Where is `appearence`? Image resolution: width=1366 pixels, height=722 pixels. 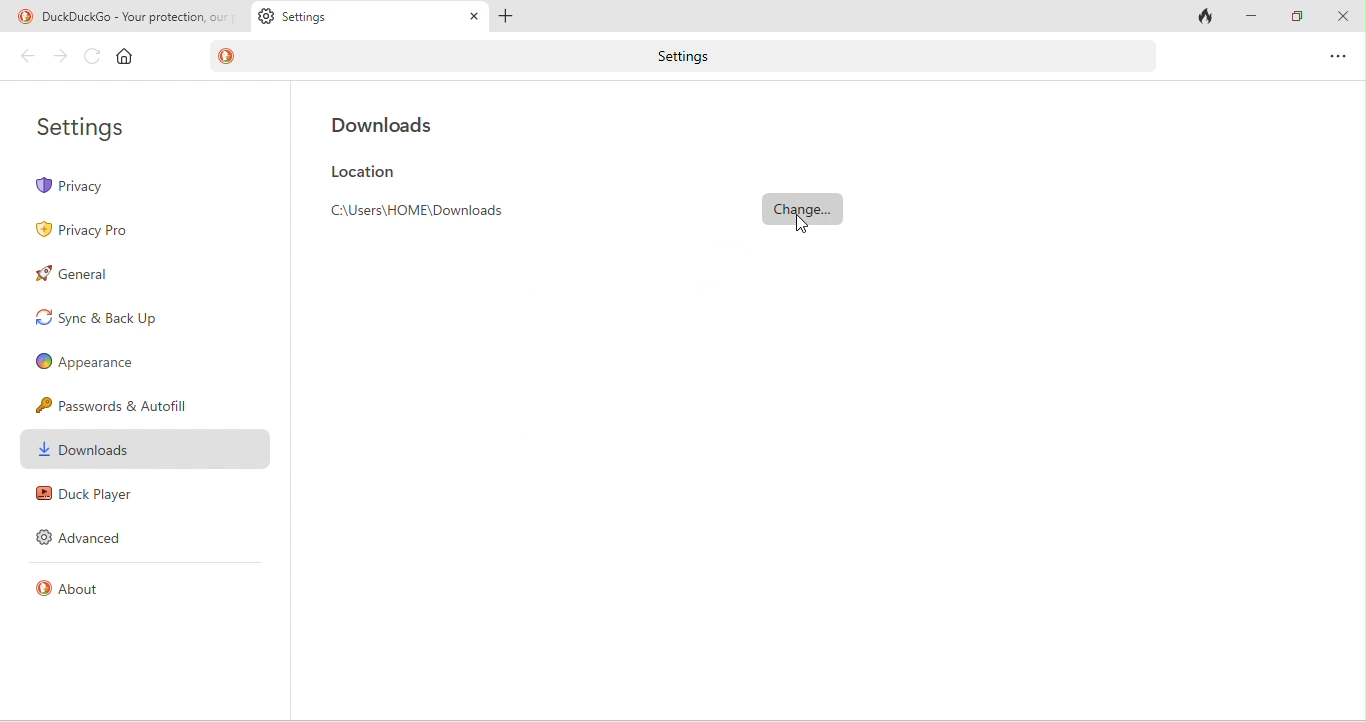
appearence is located at coordinates (98, 362).